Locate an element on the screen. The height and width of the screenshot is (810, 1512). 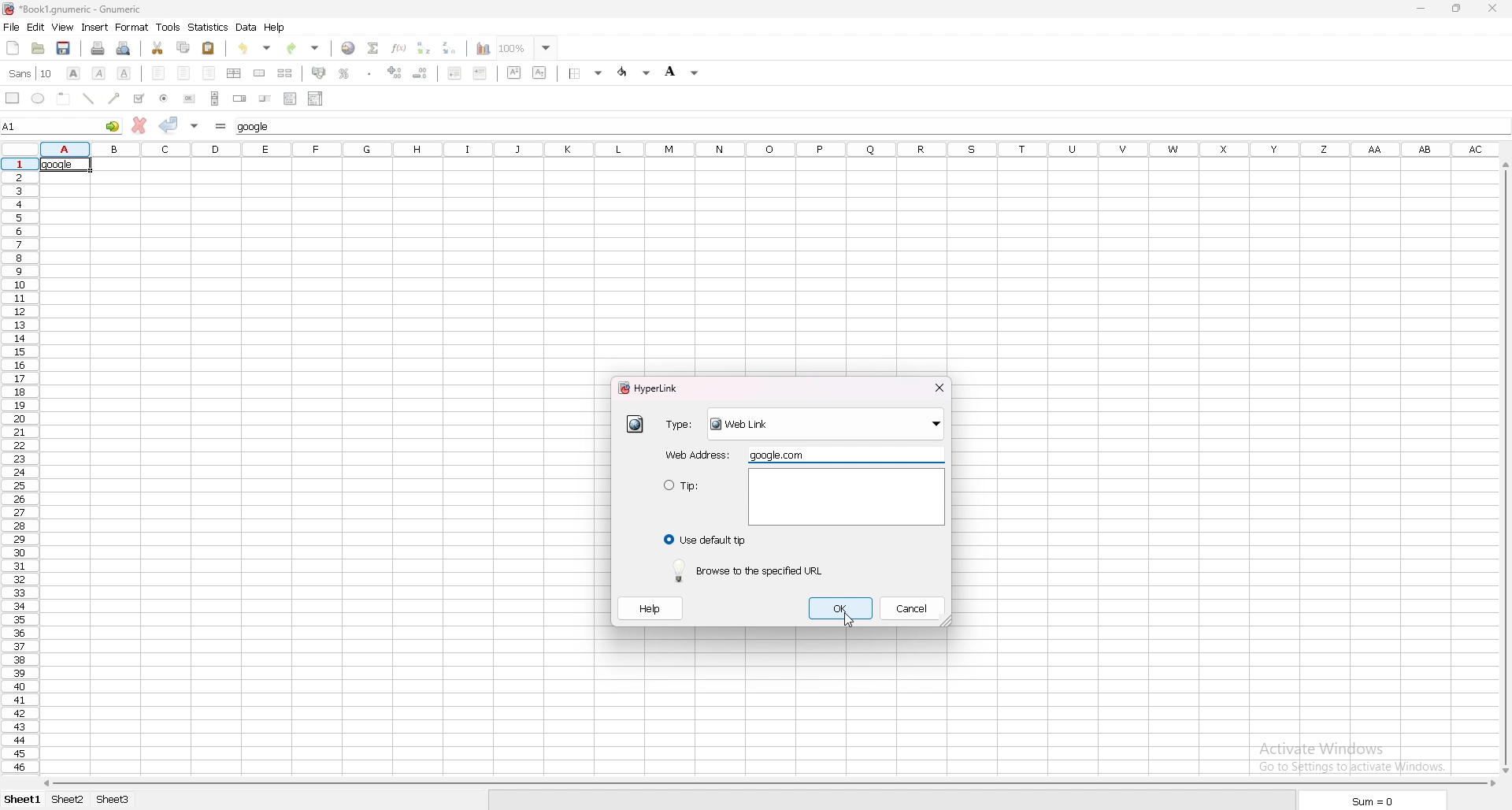
statistics is located at coordinates (209, 28).